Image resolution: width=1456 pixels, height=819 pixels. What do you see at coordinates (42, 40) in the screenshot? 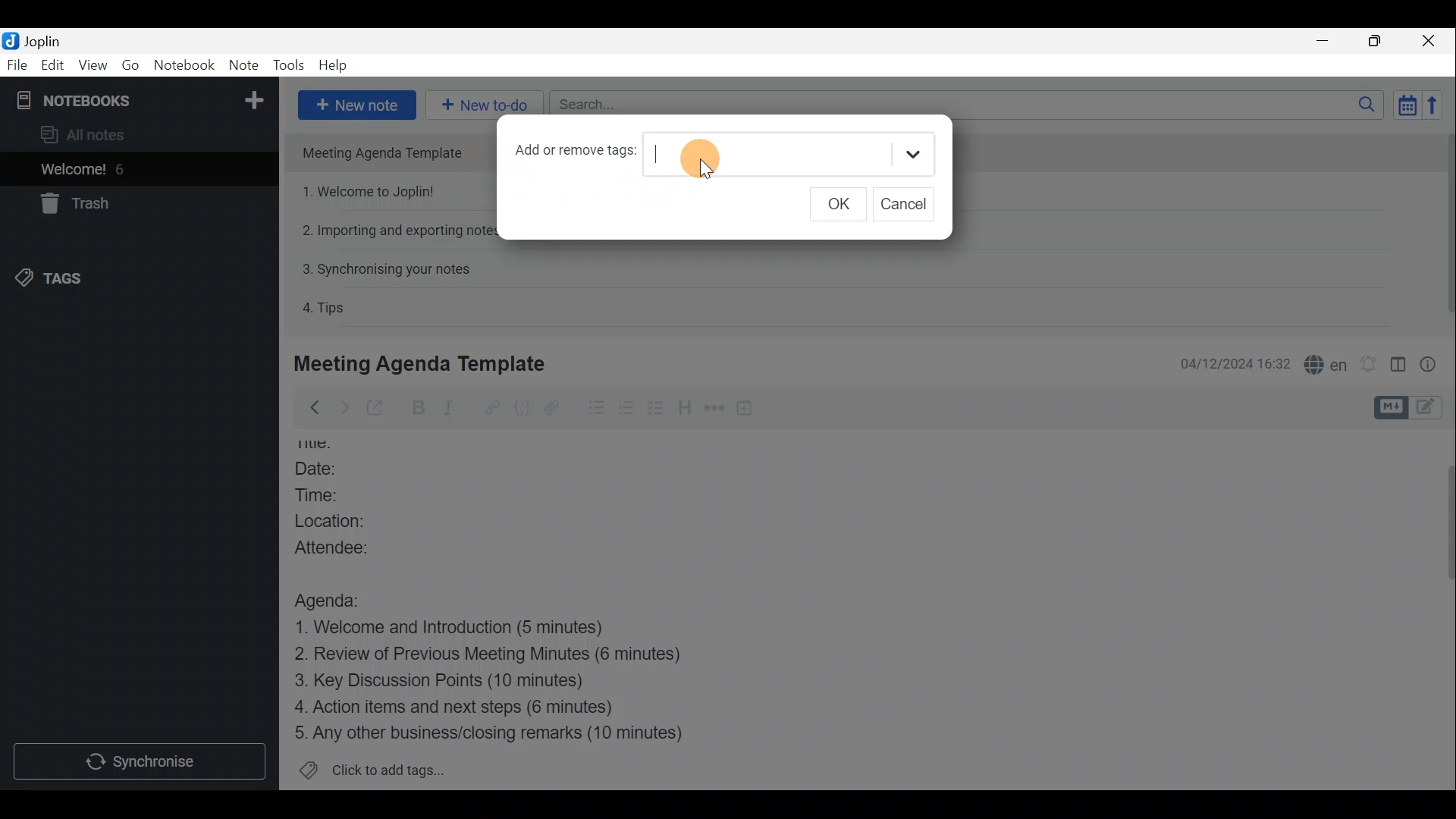
I see `Joplin` at bounding box center [42, 40].